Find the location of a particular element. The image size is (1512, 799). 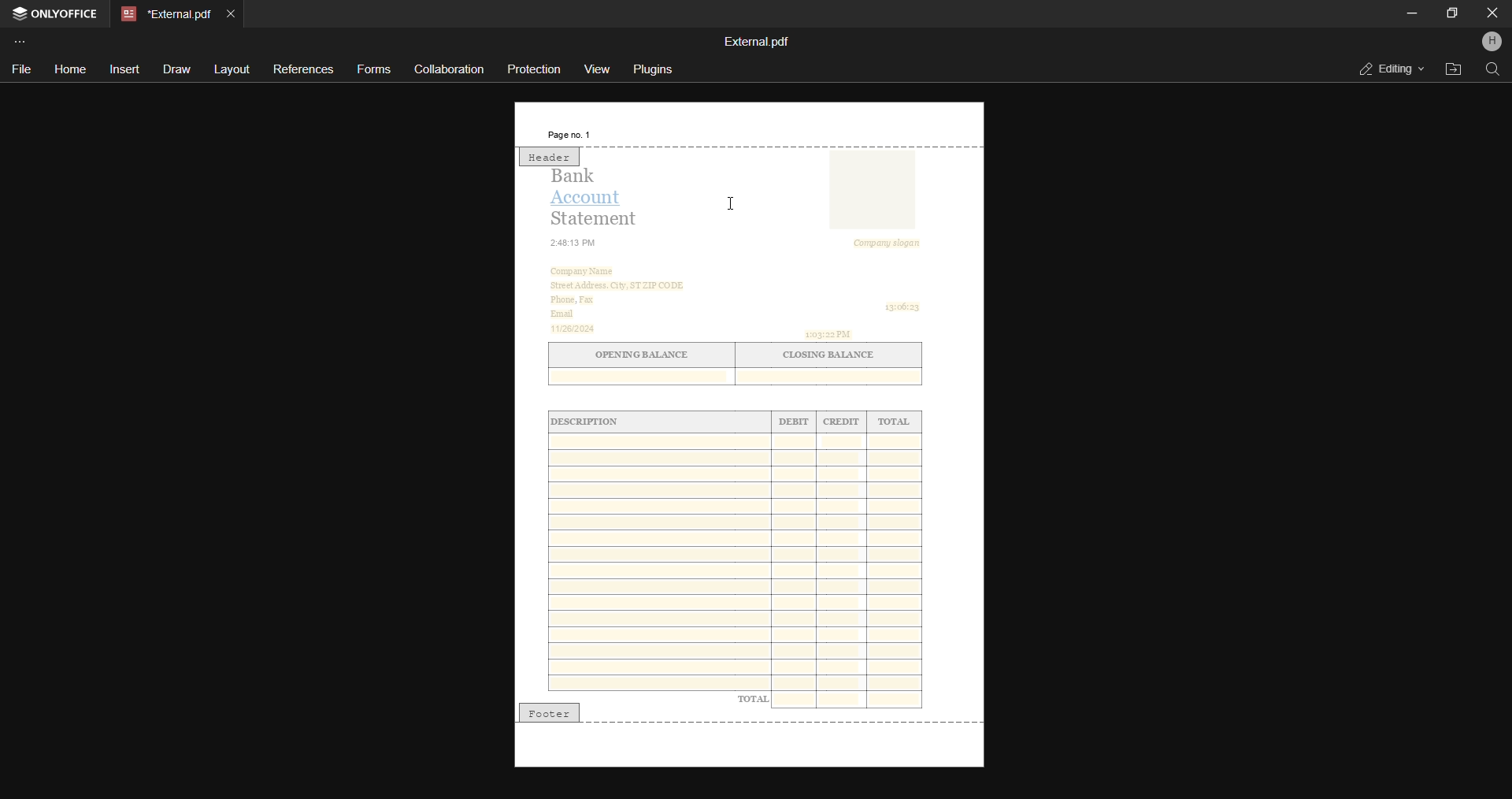

references is located at coordinates (302, 69).